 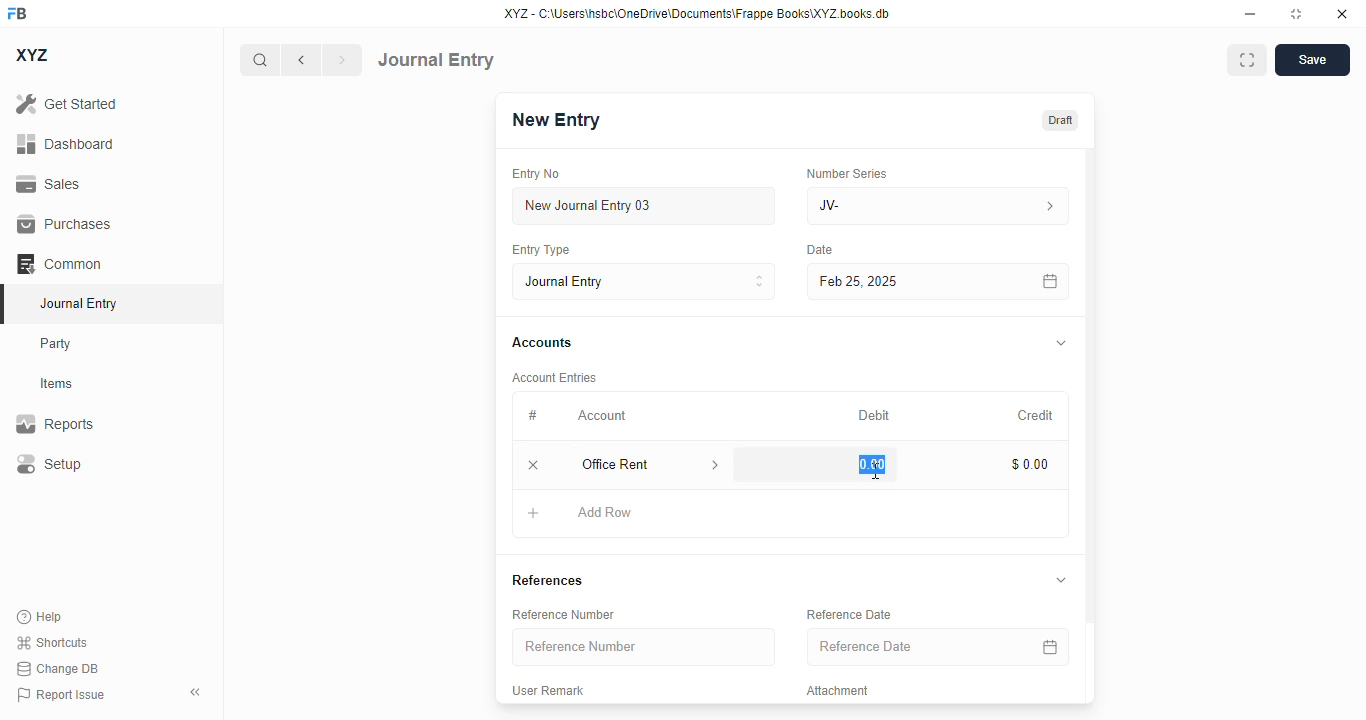 What do you see at coordinates (534, 512) in the screenshot?
I see `add` at bounding box center [534, 512].